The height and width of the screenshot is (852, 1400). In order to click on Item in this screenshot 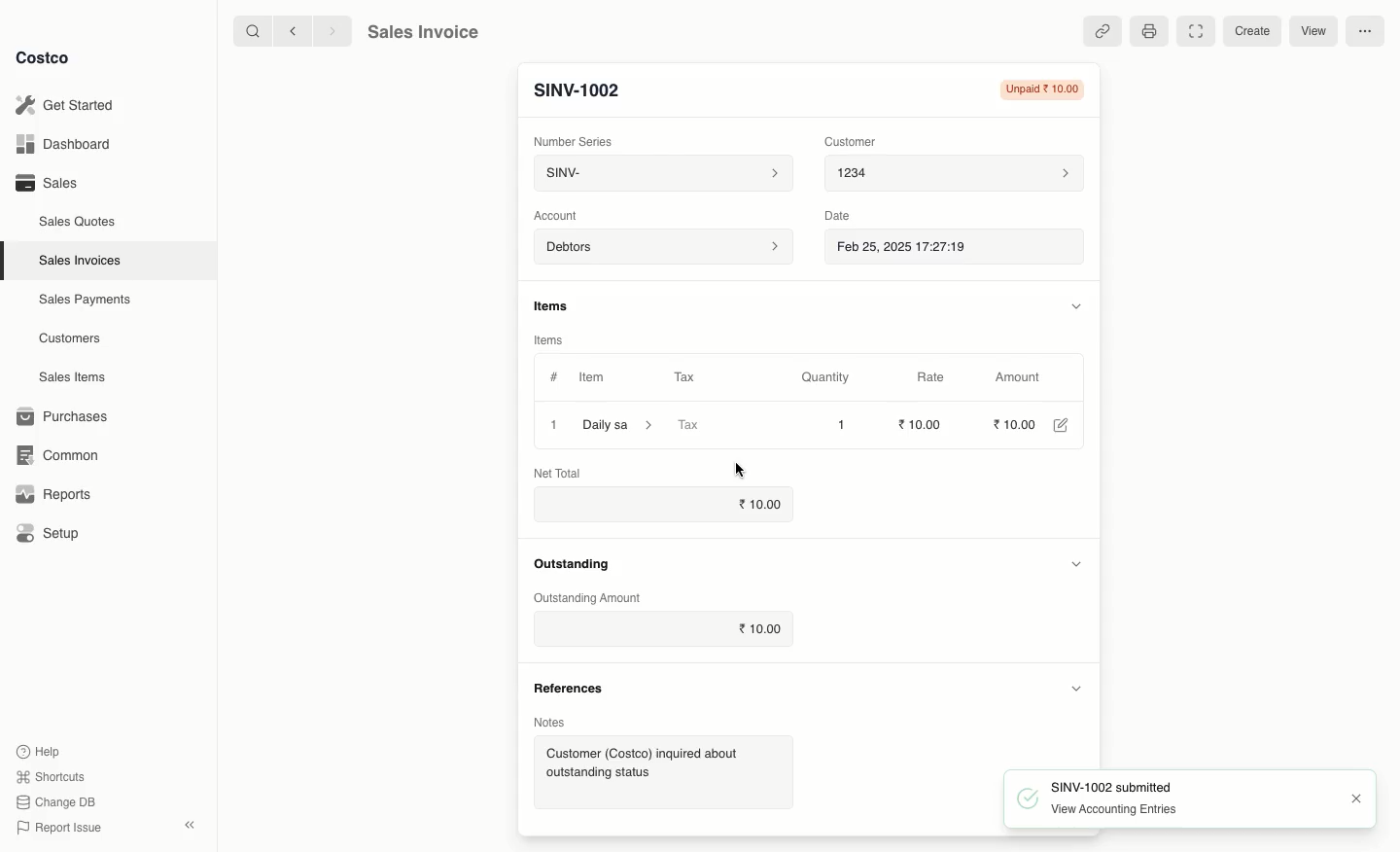, I will do `click(594, 377)`.